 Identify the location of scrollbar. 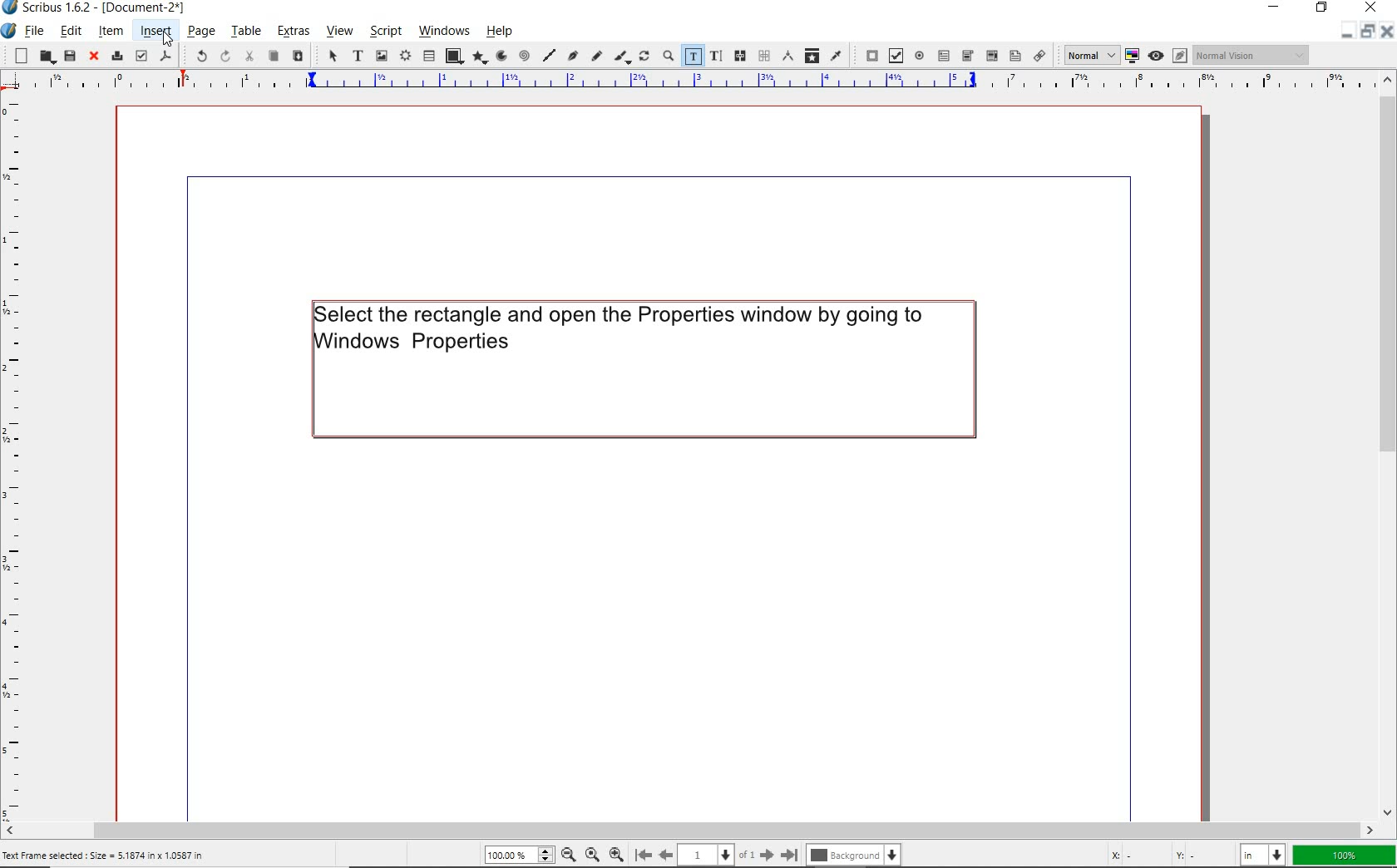
(1389, 446).